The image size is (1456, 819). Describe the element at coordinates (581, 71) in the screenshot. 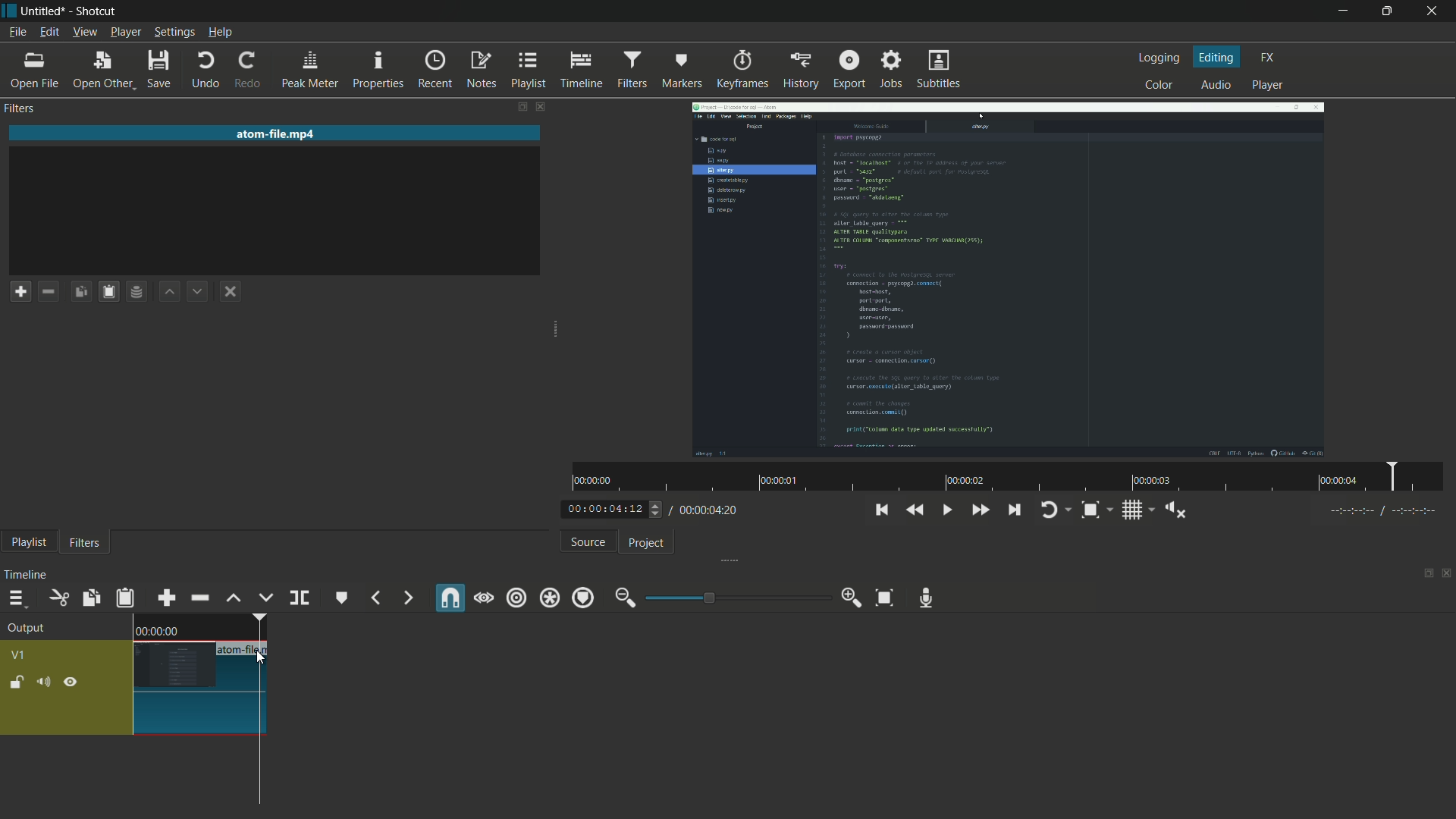

I see `timeline` at that location.